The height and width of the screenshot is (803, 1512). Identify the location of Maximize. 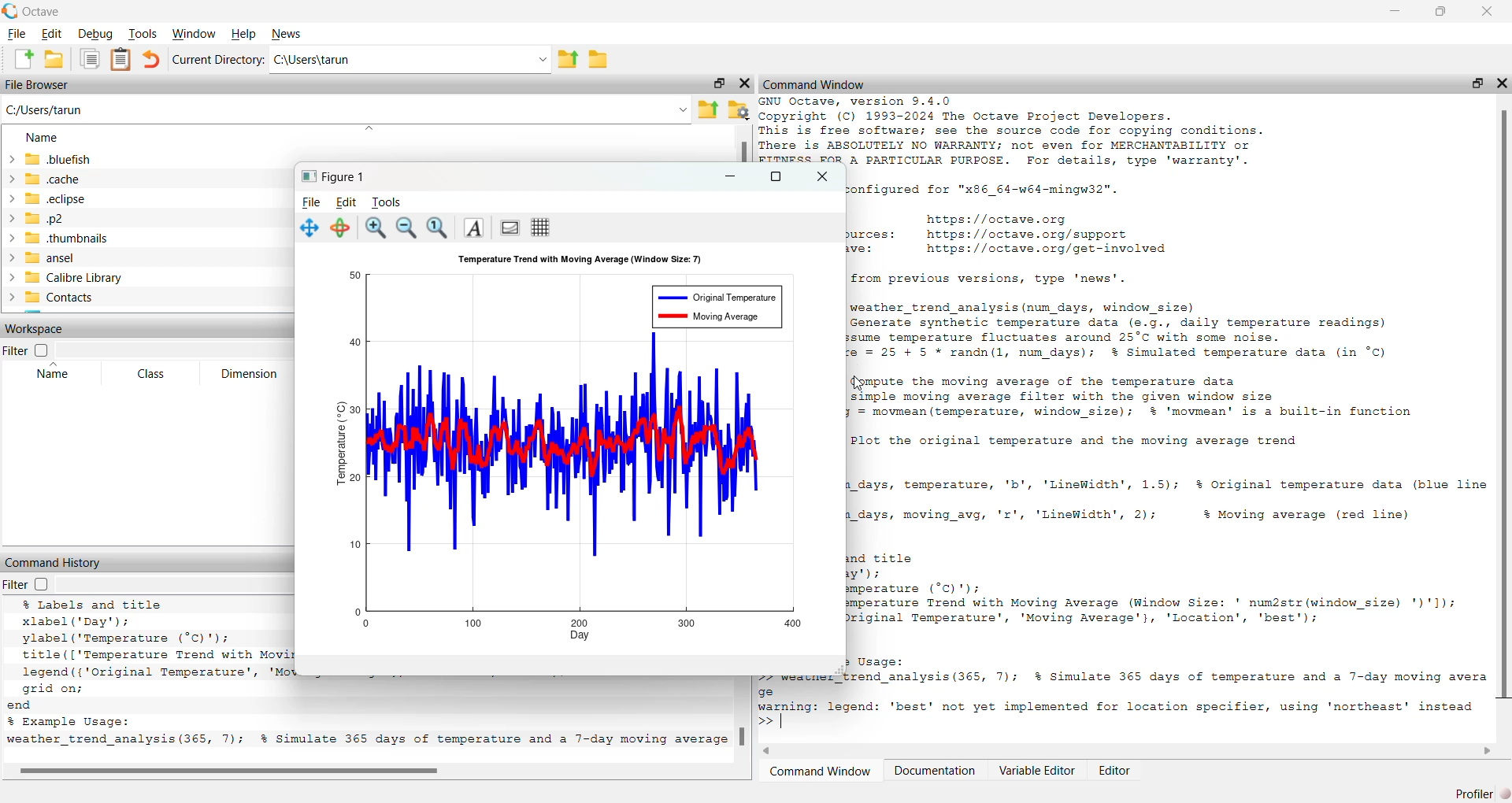
(1442, 12).